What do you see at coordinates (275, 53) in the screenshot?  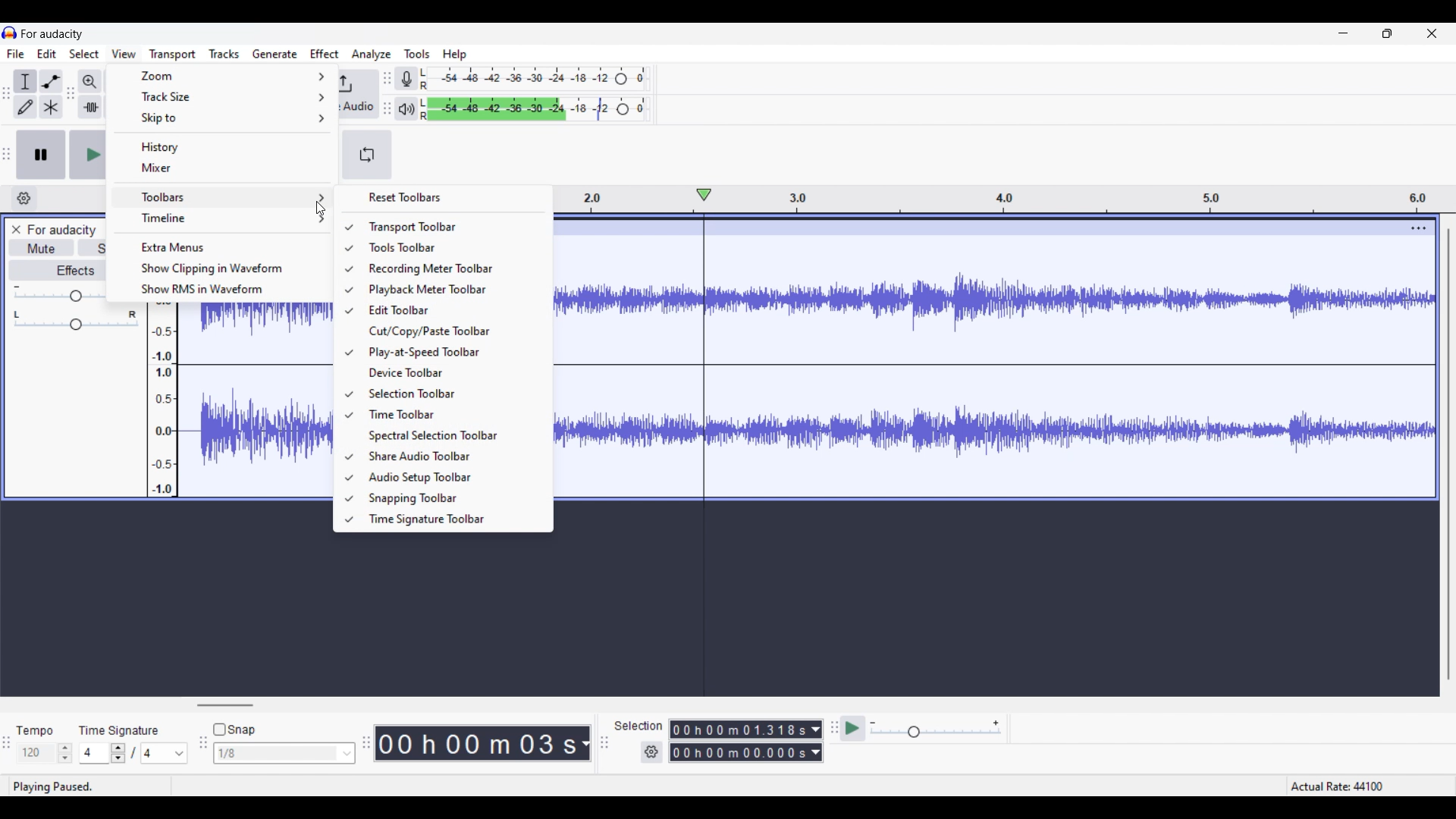 I see `Generate menu` at bounding box center [275, 53].